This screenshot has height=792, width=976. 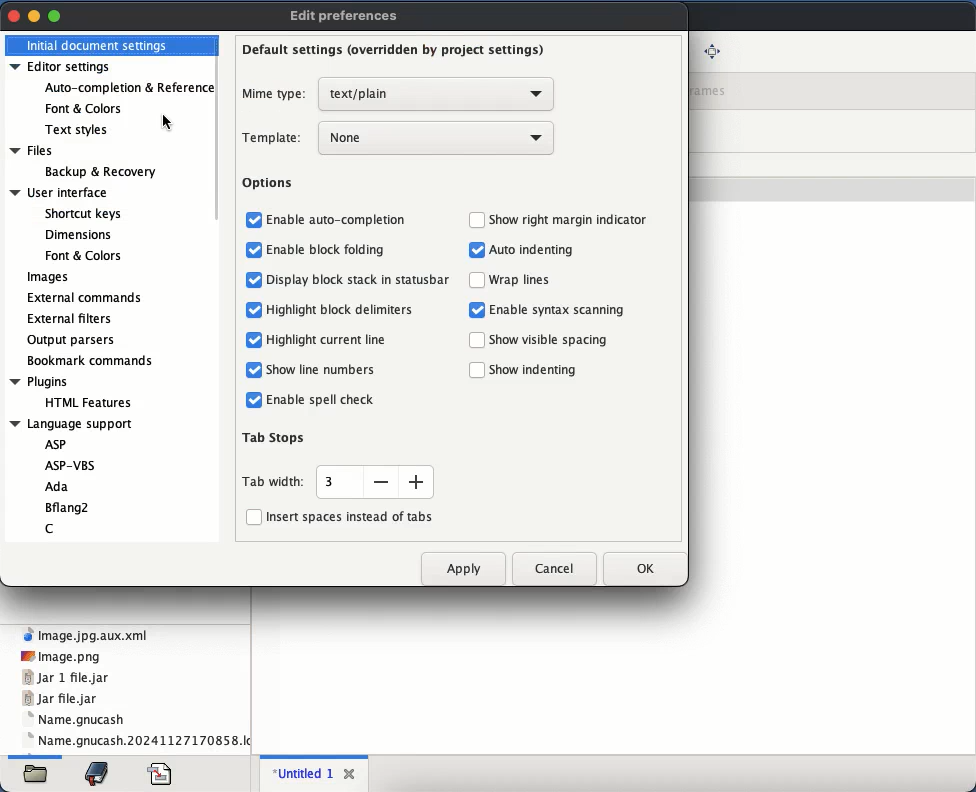 What do you see at coordinates (323, 369) in the screenshot?
I see `Show line numbers` at bounding box center [323, 369].